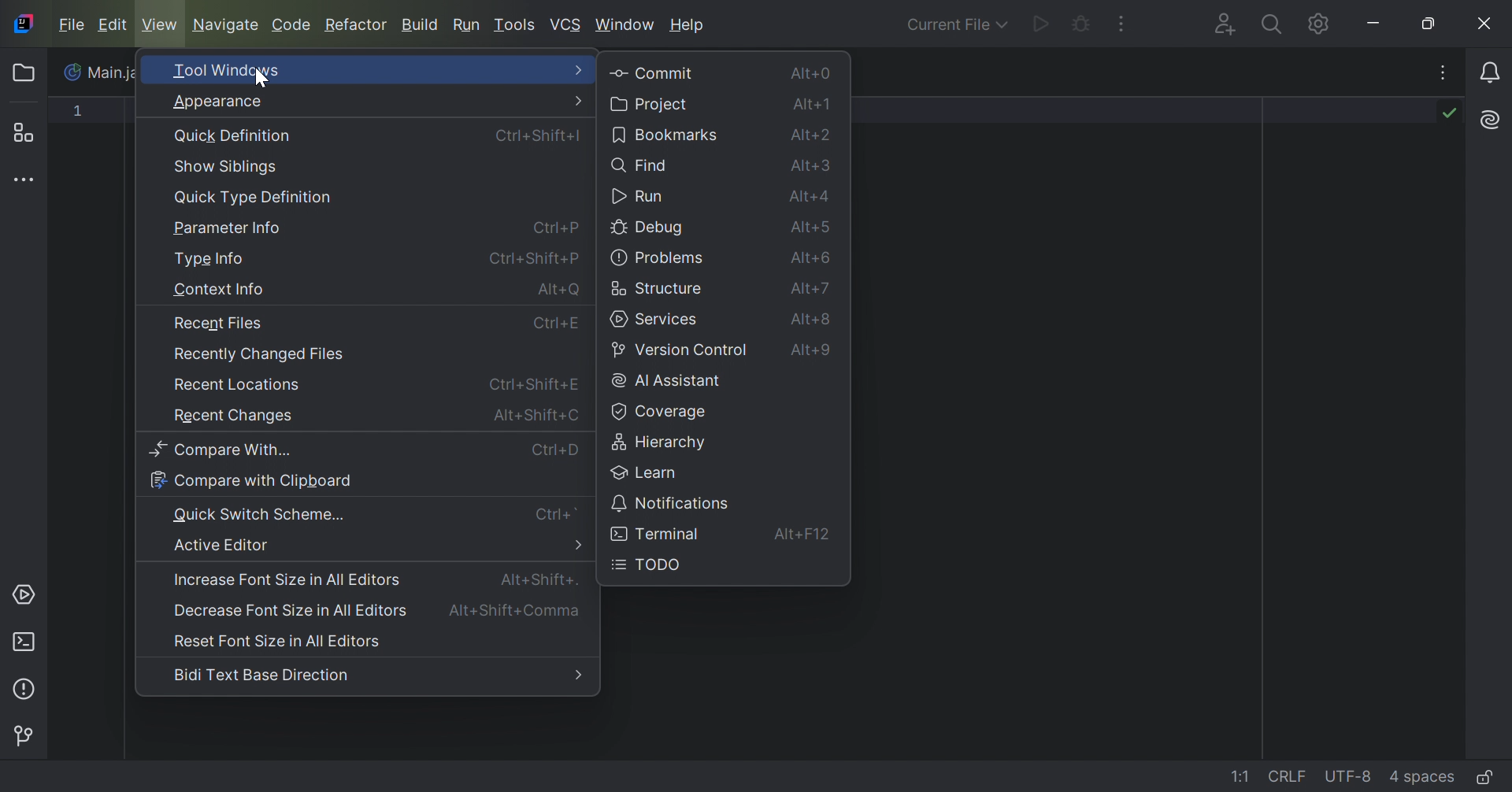 Image resolution: width=1512 pixels, height=792 pixels. Describe the element at coordinates (813, 135) in the screenshot. I see `Alt+2` at that location.